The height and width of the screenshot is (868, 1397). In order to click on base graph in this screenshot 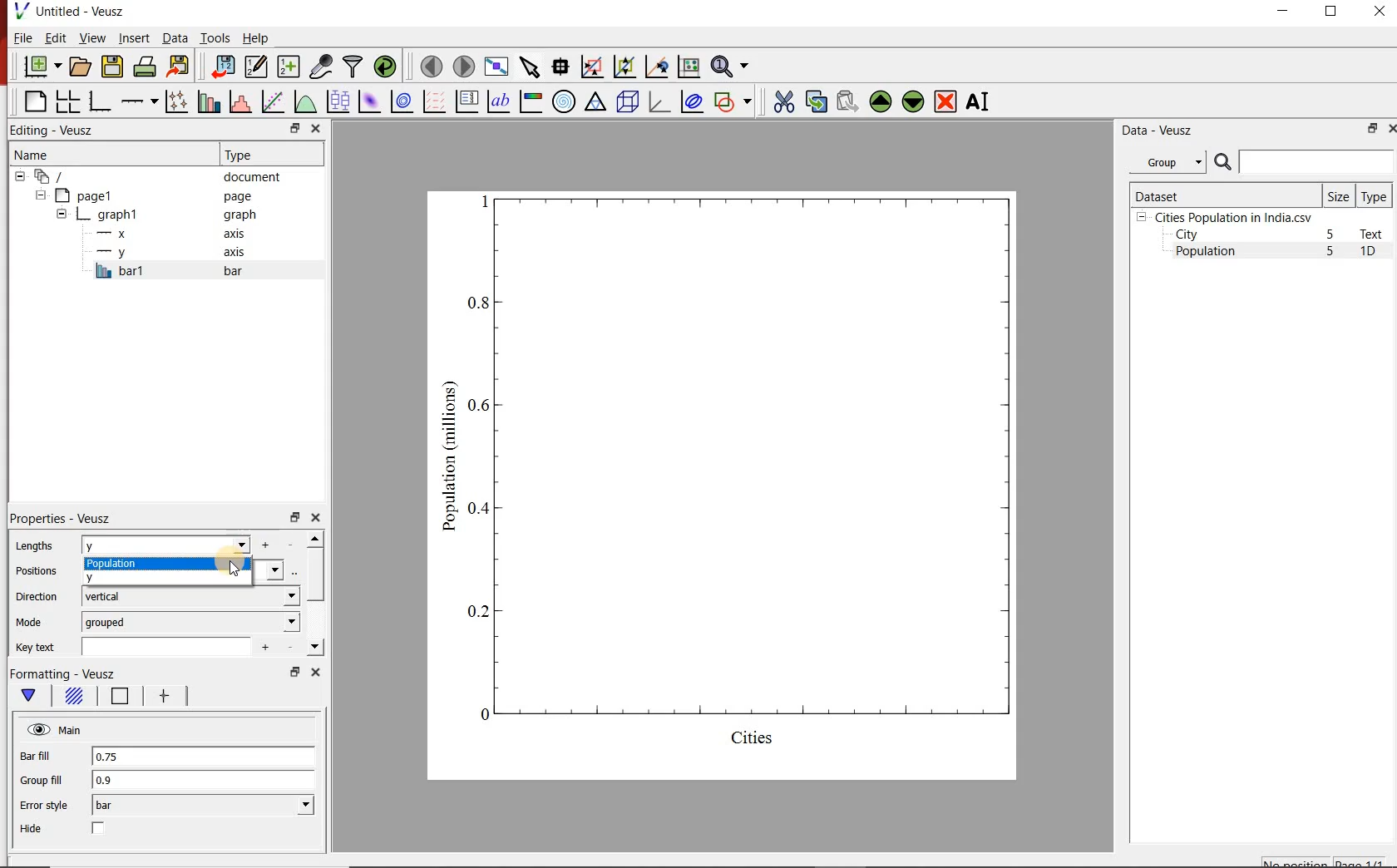, I will do `click(98, 101)`.